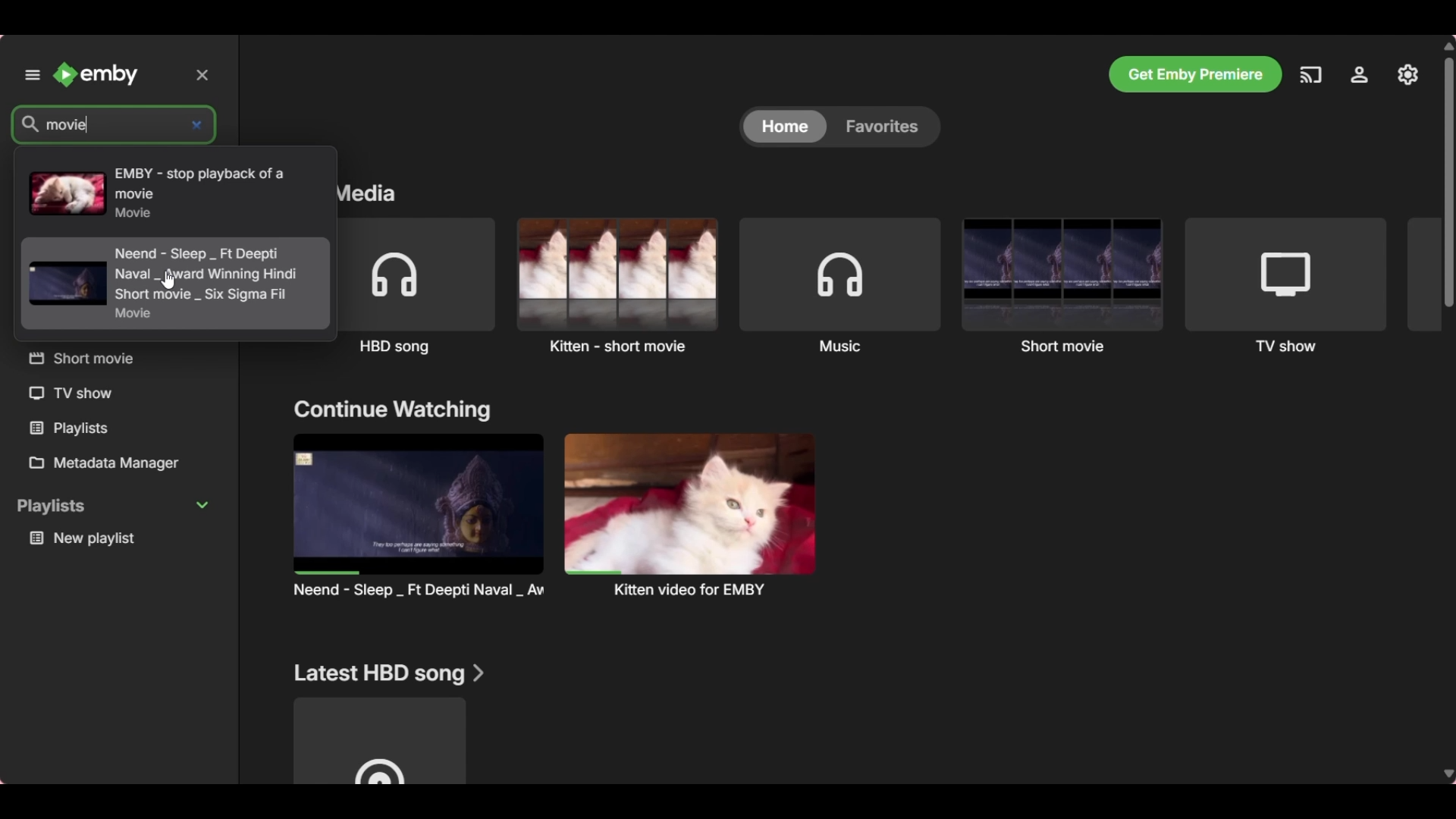  Describe the element at coordinates (833, 127) in the screenshot. I see `Toggle between Home and Favorites` at that location.